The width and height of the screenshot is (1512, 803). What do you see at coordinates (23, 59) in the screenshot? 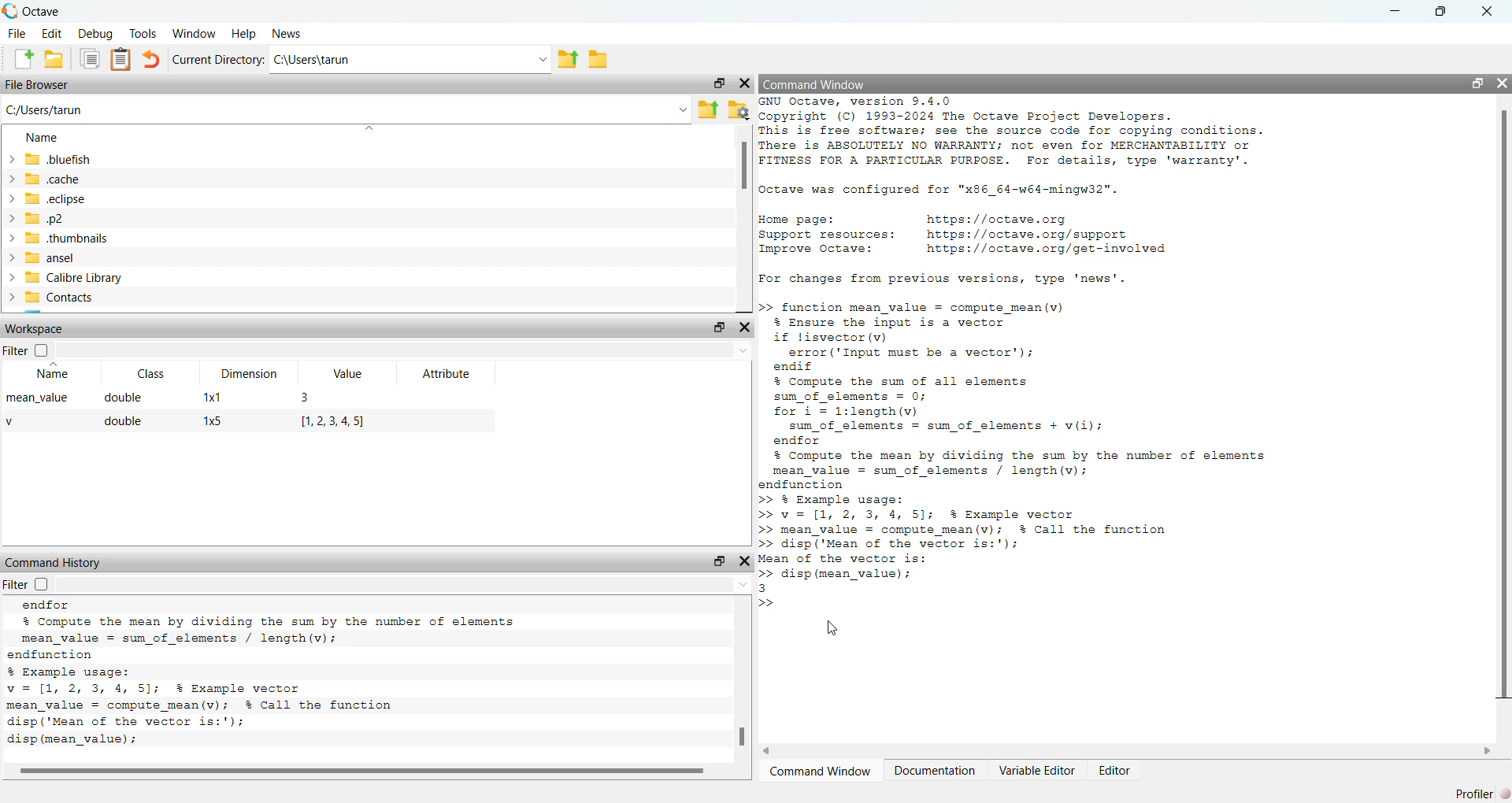
I see `add file` at bounding box center [23, 59].